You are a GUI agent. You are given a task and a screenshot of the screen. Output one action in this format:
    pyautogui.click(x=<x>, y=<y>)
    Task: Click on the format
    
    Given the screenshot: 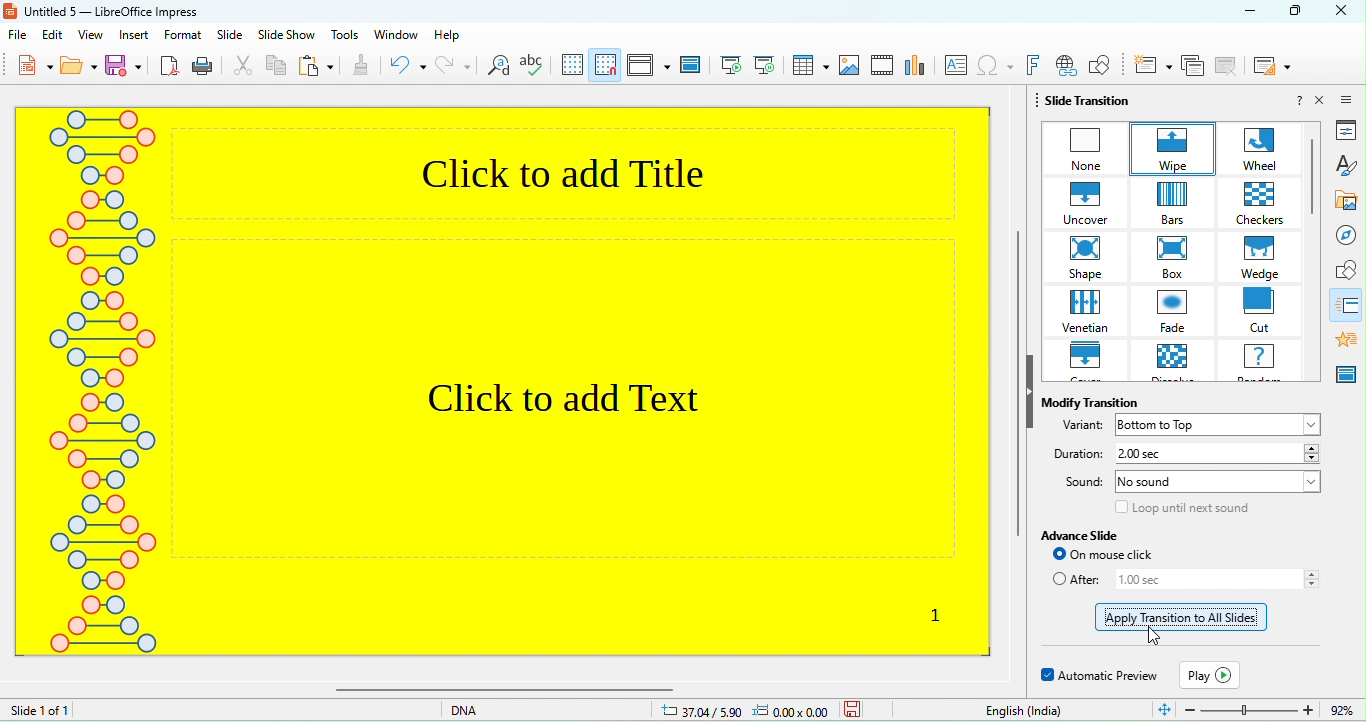 What is the action you would take?
    pyautogui.click(x=182, y=34)
    